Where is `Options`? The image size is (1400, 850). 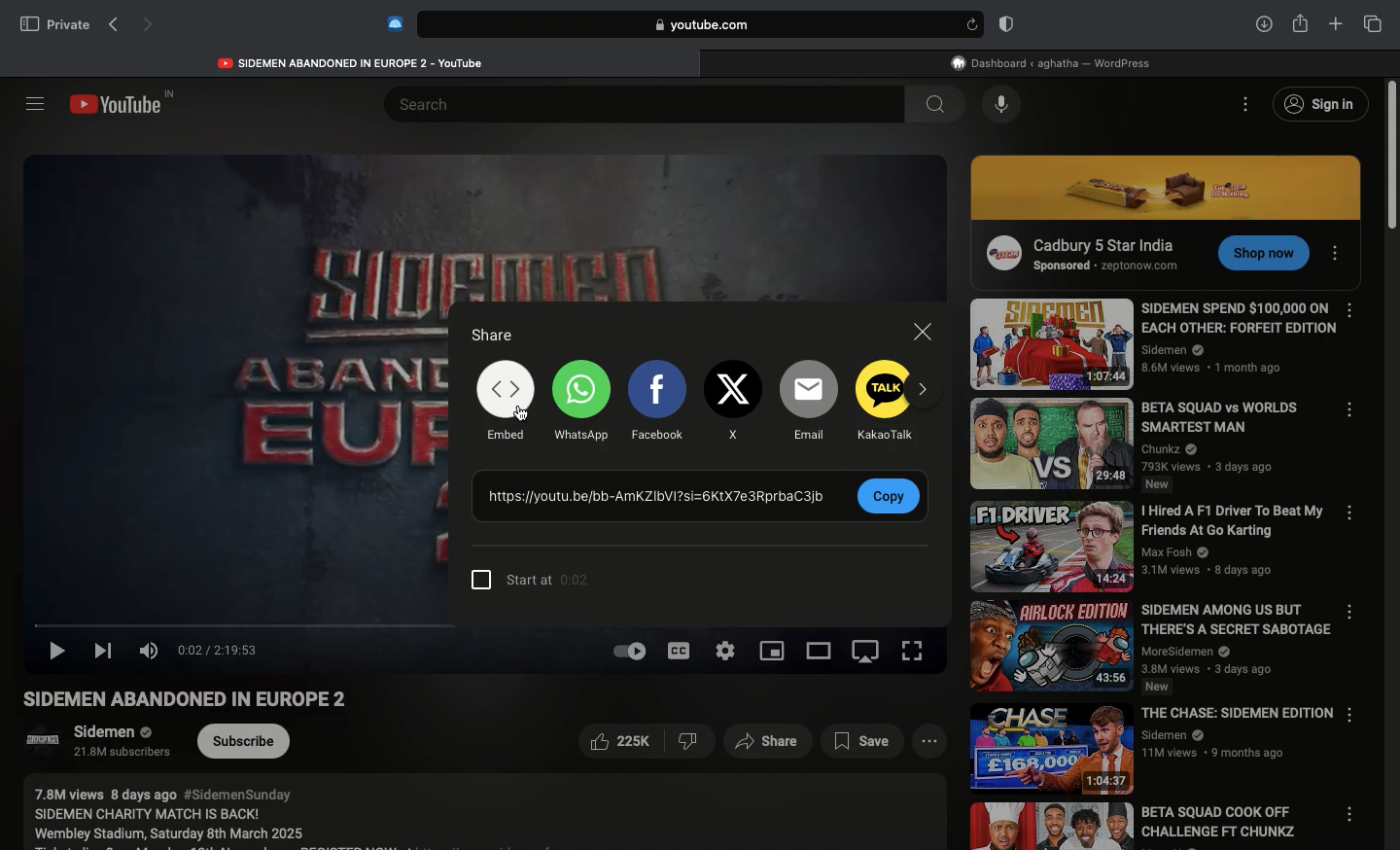 Options is located at coordinates (1350, 310).